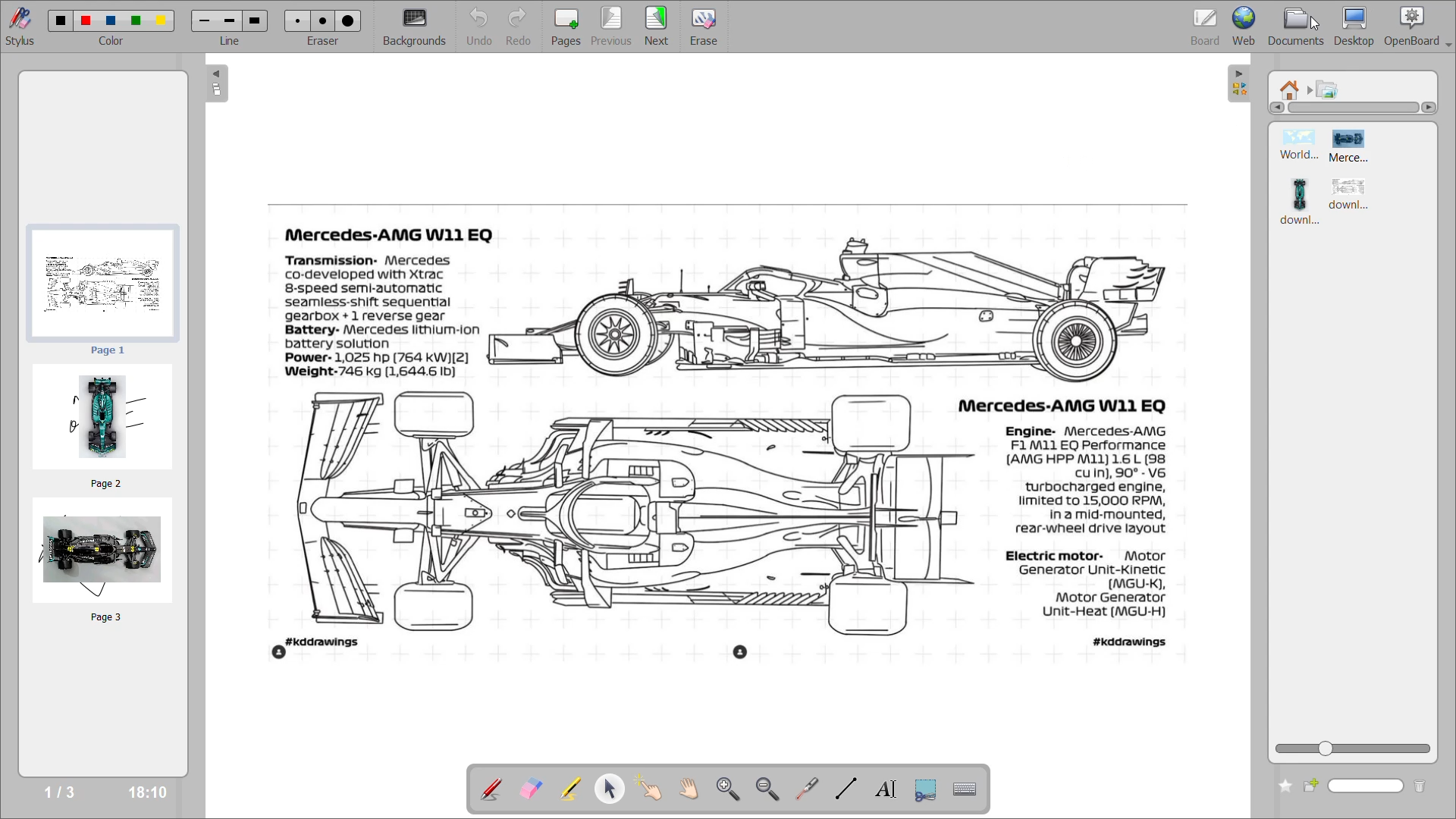 The width and height of the screenshot is (1456, 819). What do you see at coordinates (349, 20) in the screenshot?
I see `eraser3` at bounding box center [349, 20].